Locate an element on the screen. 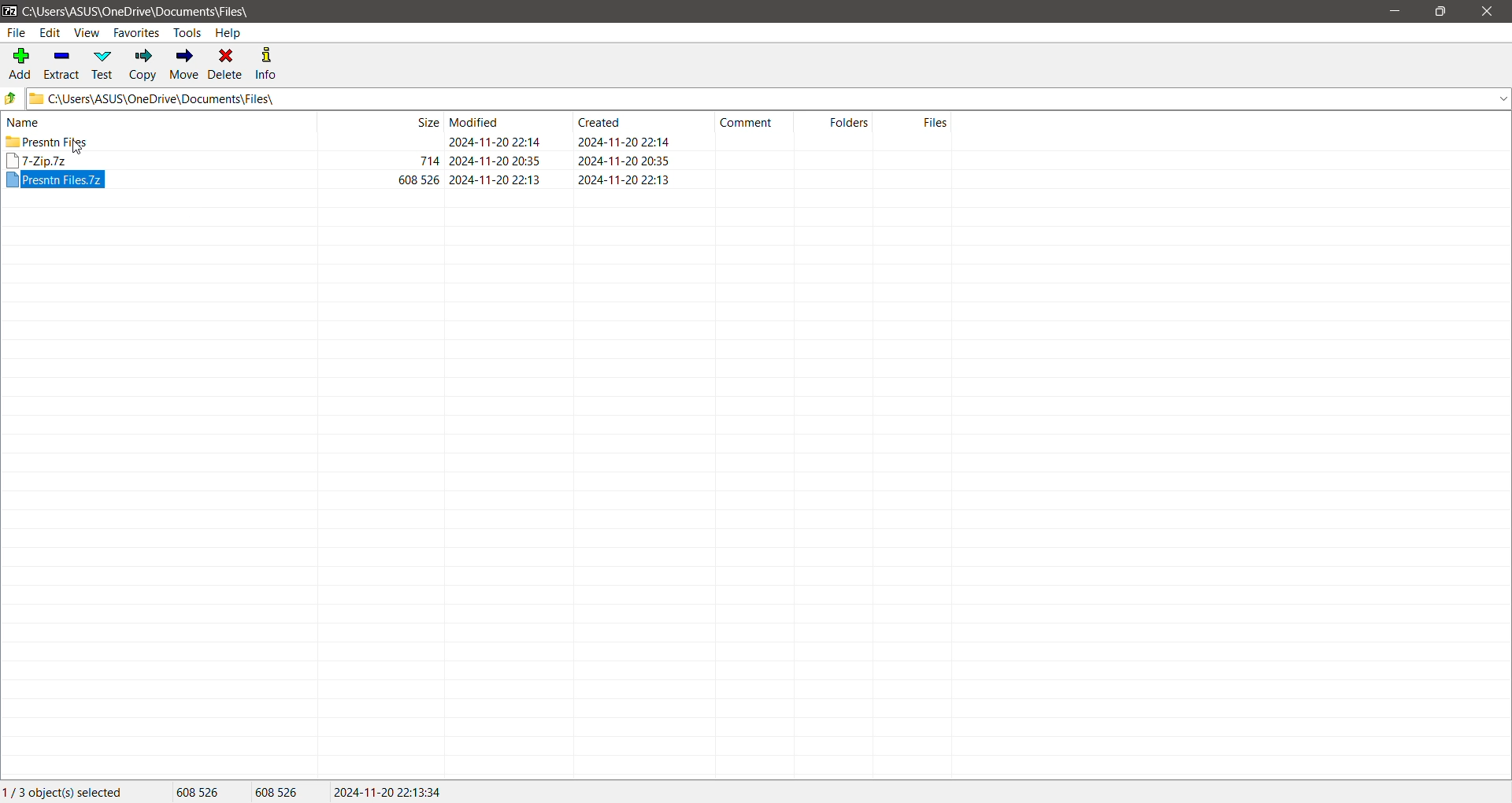  Favorites is located at coordinates (137, 32).